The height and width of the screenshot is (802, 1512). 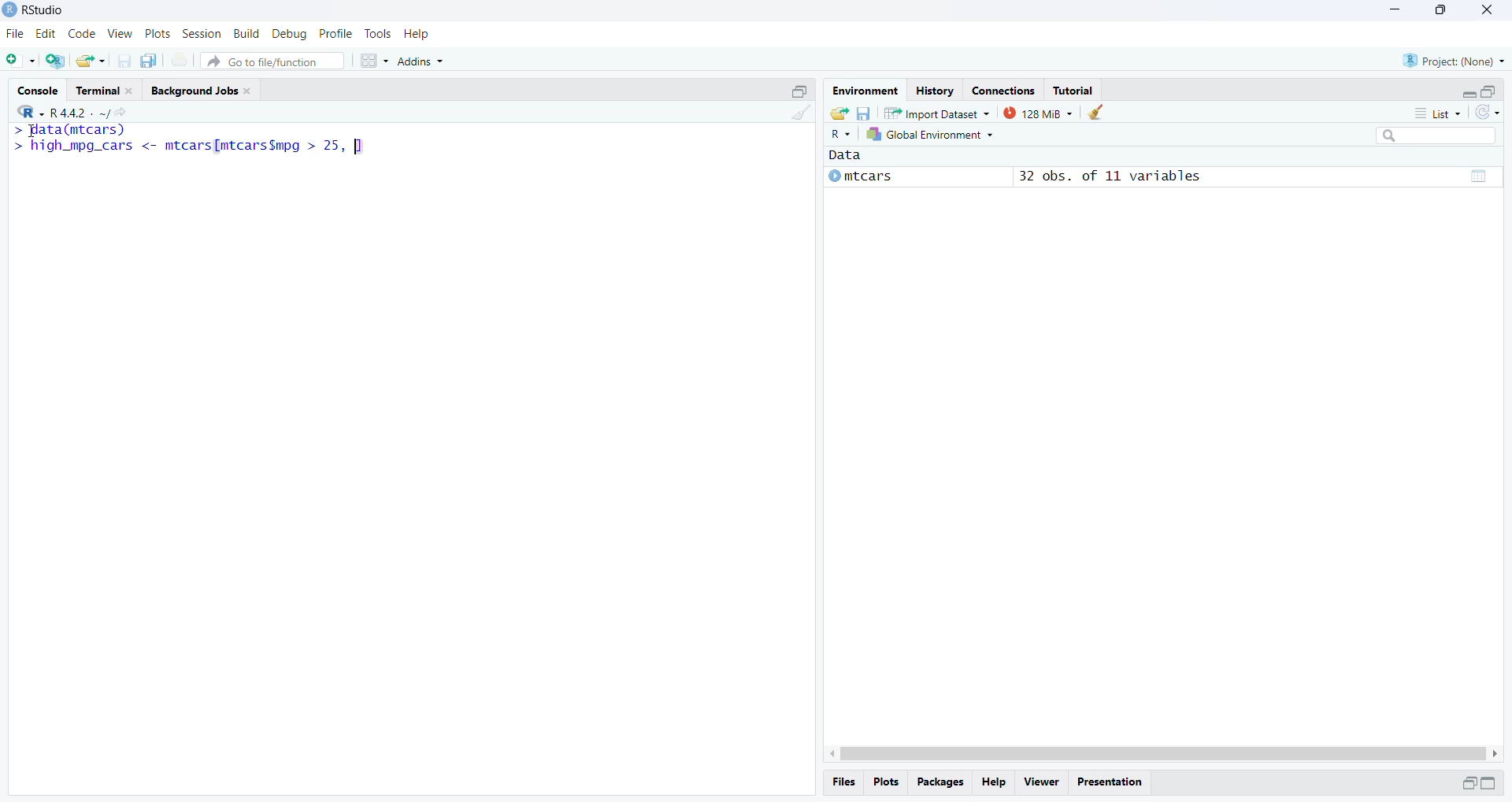 I want to click on new file, so click(x=21, y=61).